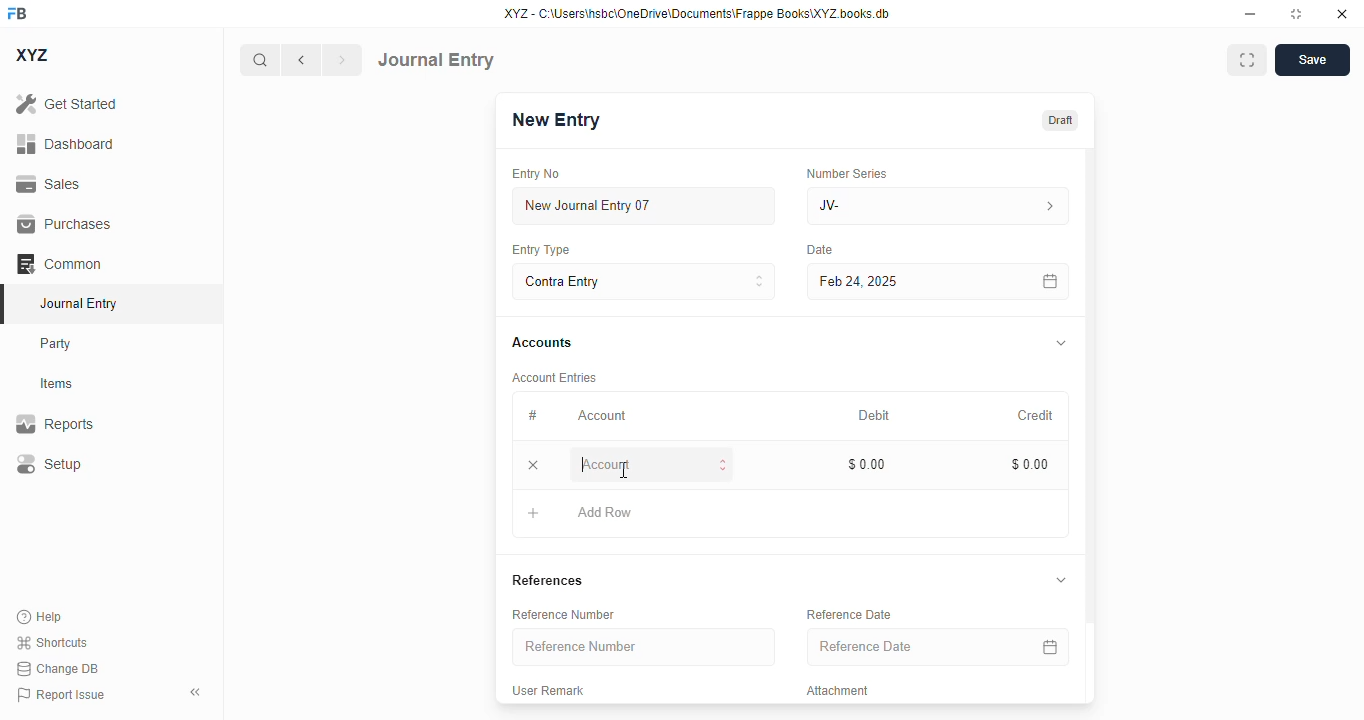 The height and width of the screenshot is (720, 1364). I want to click on new entry, so click(557, 119).